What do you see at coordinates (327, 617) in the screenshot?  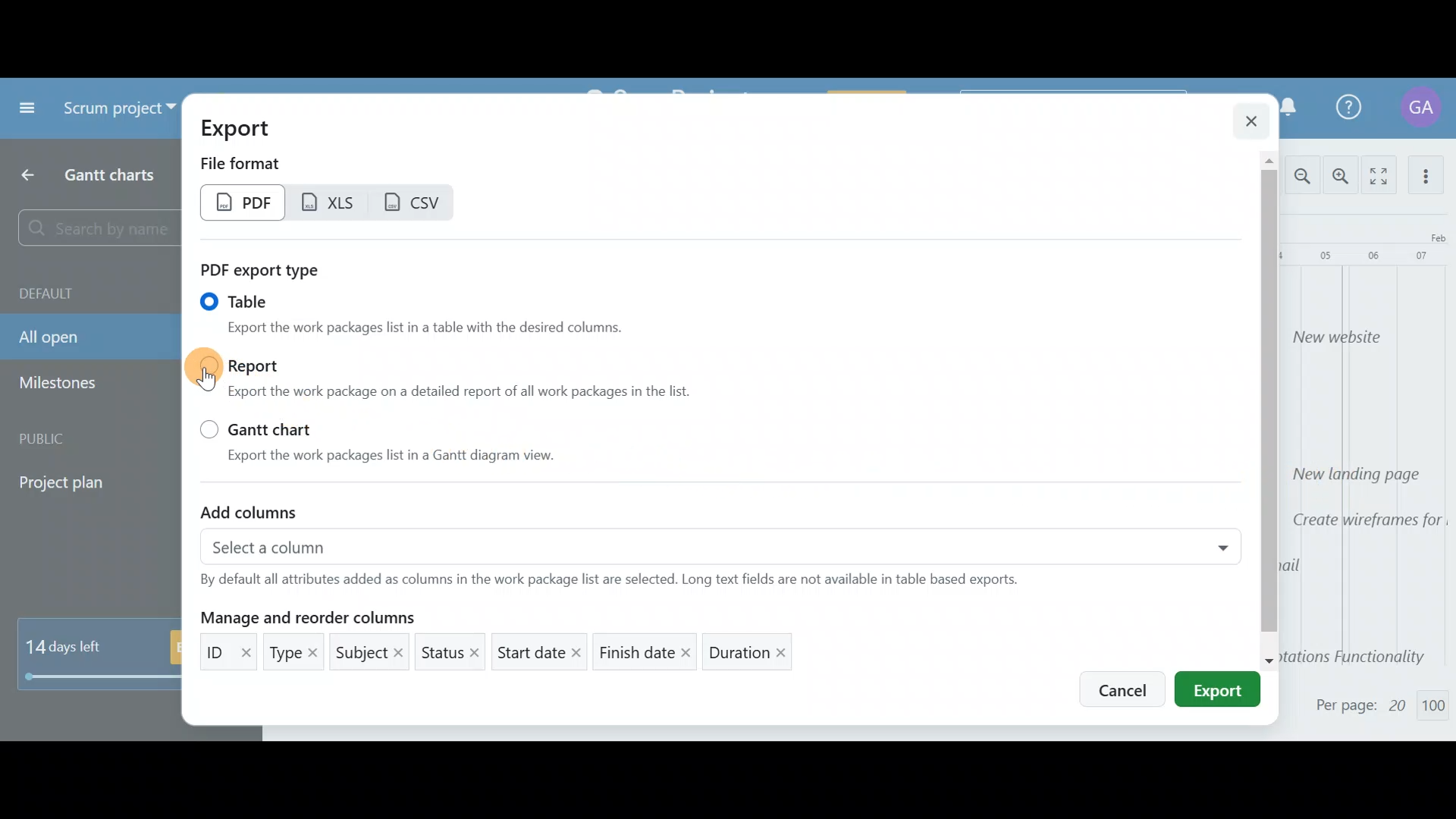 I see `Manage and reorder columns` at bounding box center [327, 617].